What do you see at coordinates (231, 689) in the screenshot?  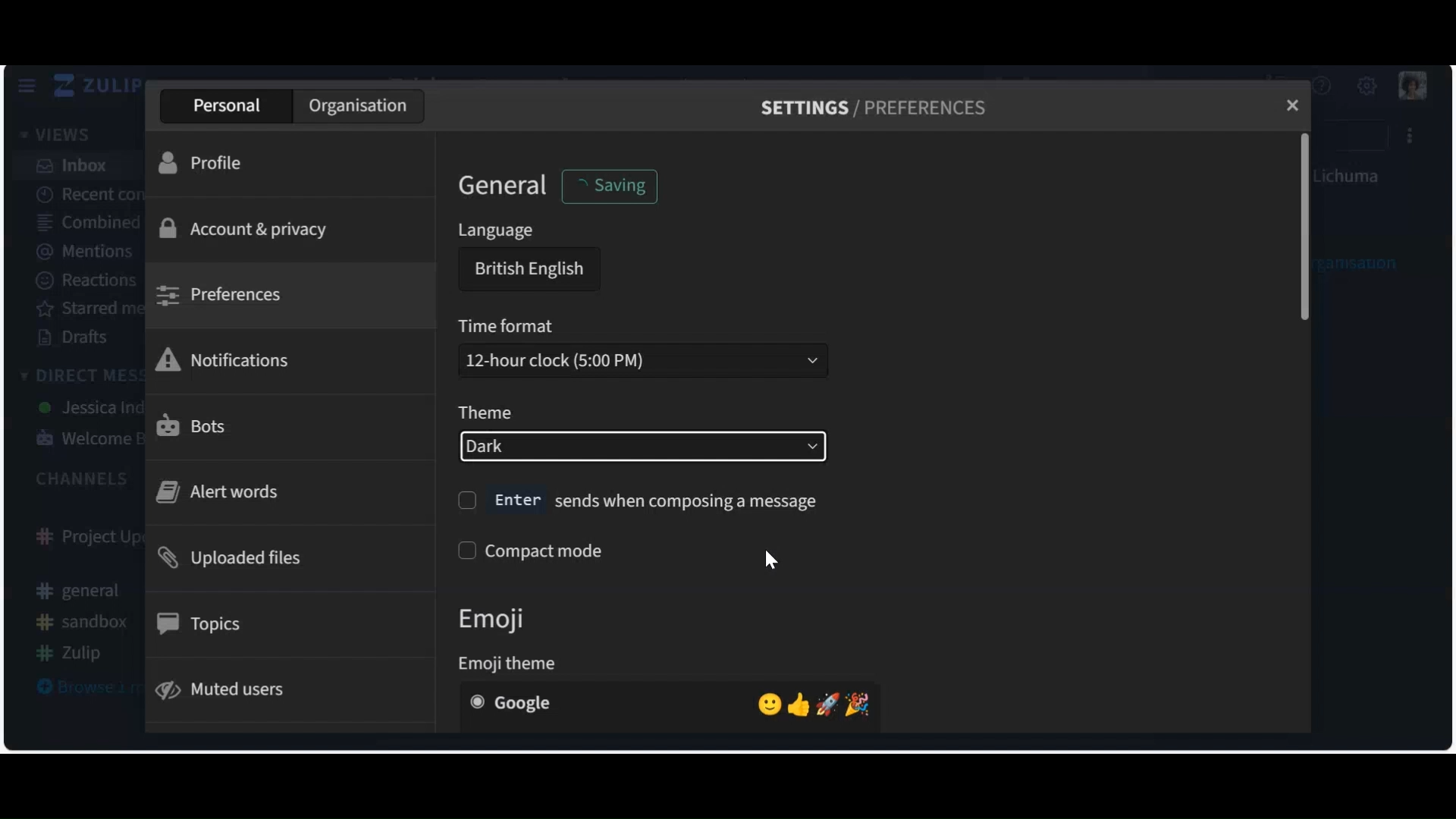 I see `Muted Users` at bounding box center [231, 689].